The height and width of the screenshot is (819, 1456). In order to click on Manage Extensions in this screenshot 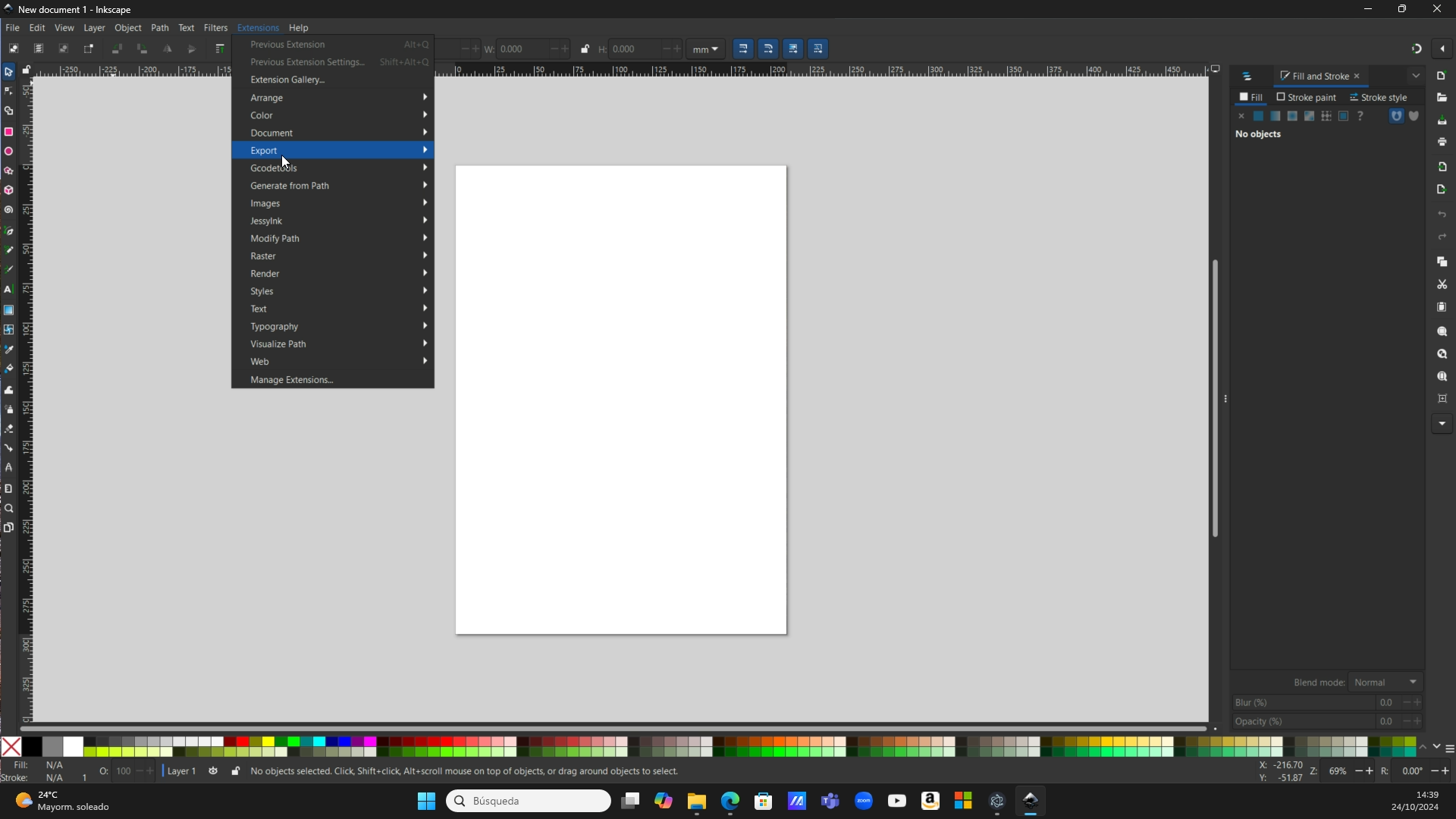, I will do `click(312, 380)`.